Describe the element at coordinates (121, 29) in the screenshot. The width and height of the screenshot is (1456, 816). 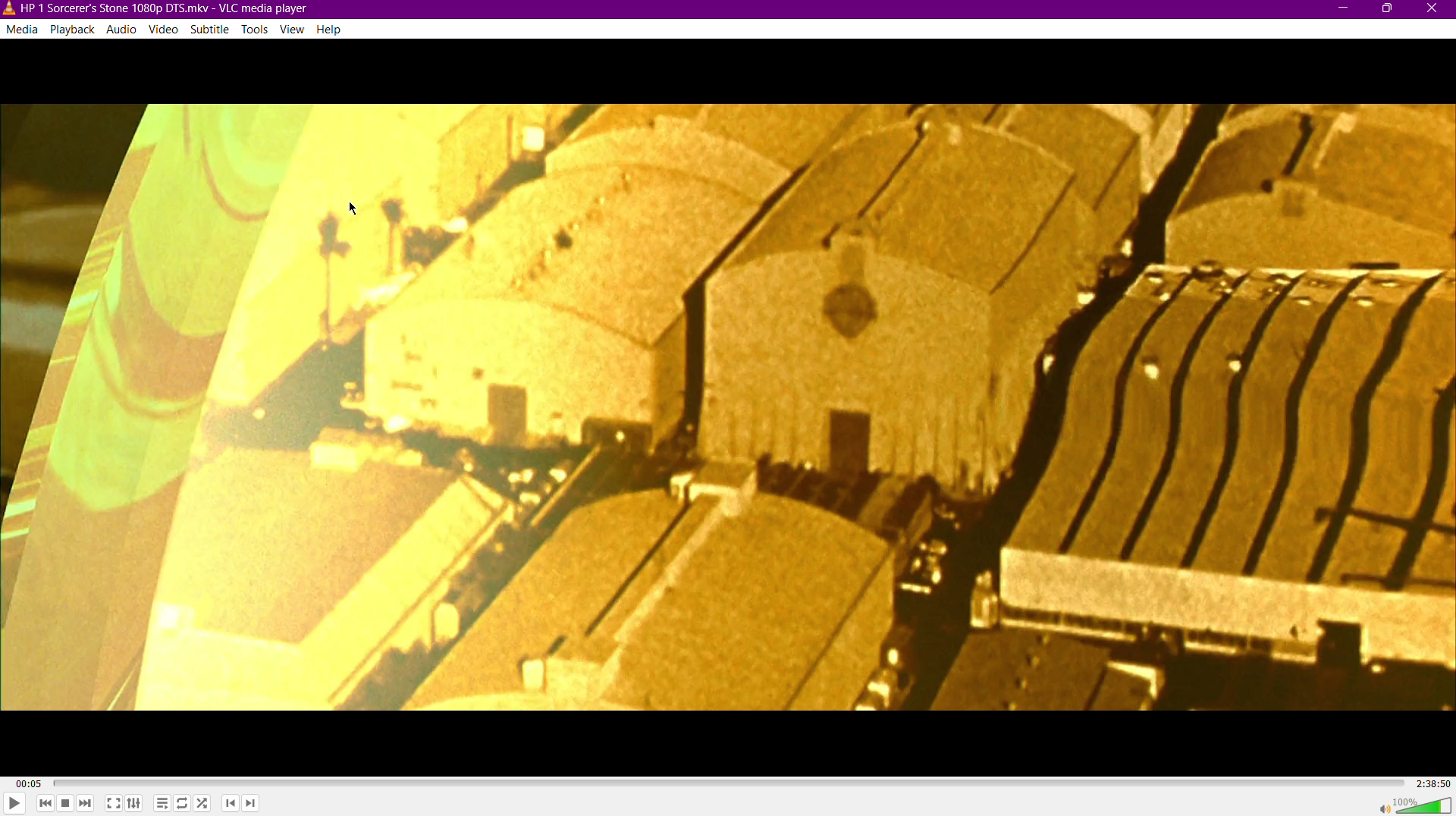
I see `Audio` at that location.